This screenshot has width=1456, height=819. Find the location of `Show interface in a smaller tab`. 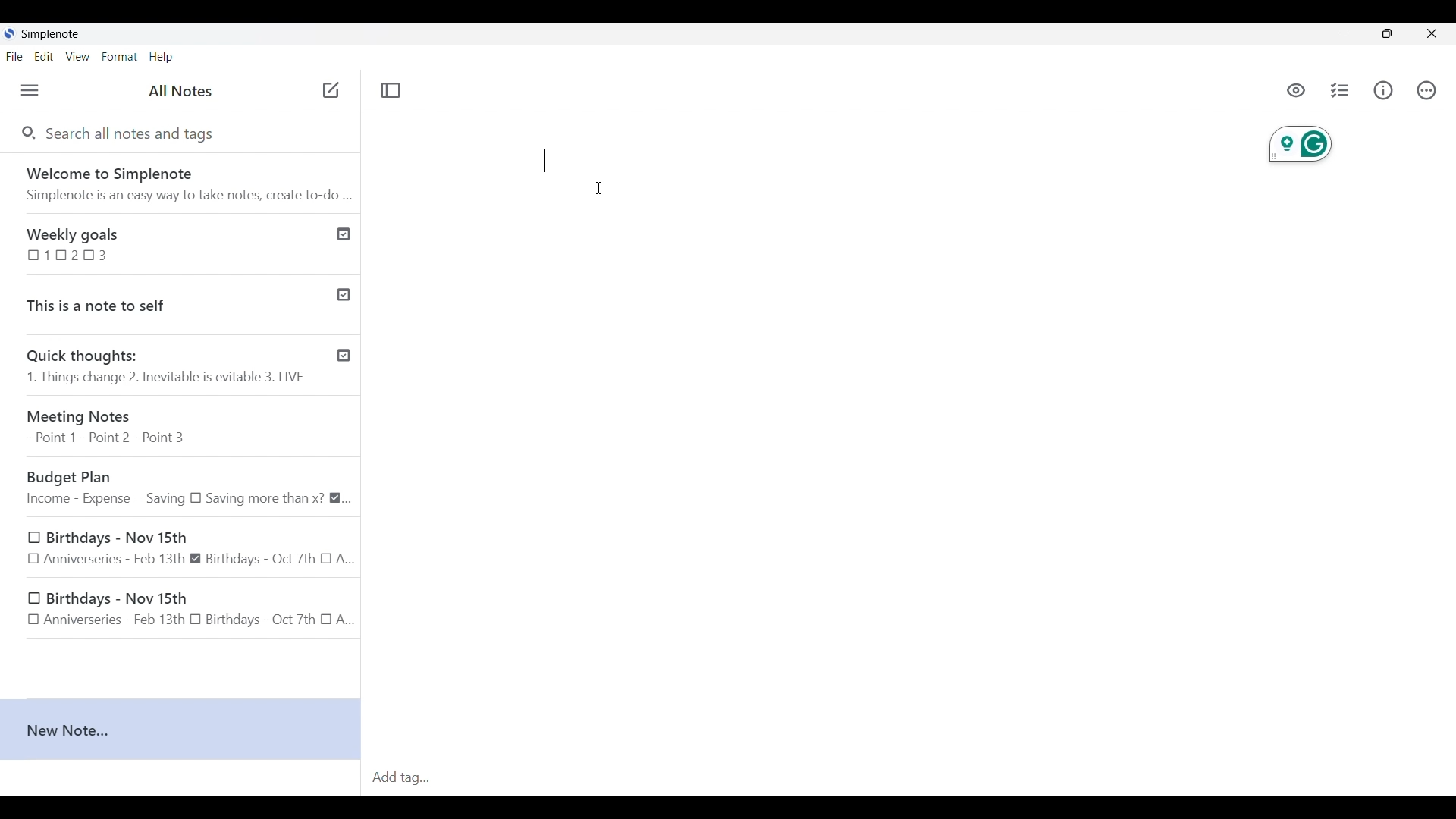

Show interface in a smaller tab is located at coordinates (1388, 33).